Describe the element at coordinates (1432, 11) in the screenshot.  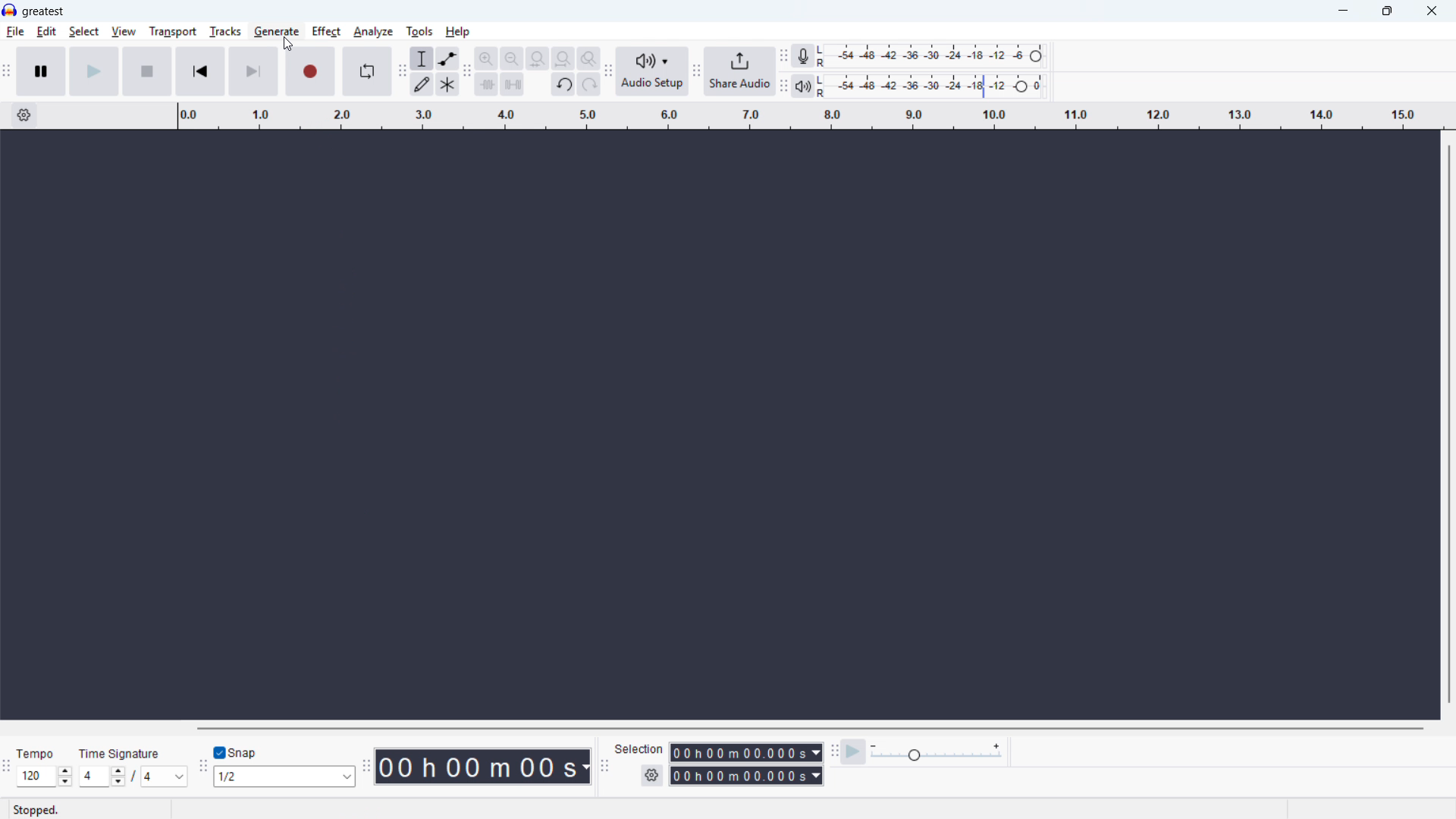
I see `close ` at that location.